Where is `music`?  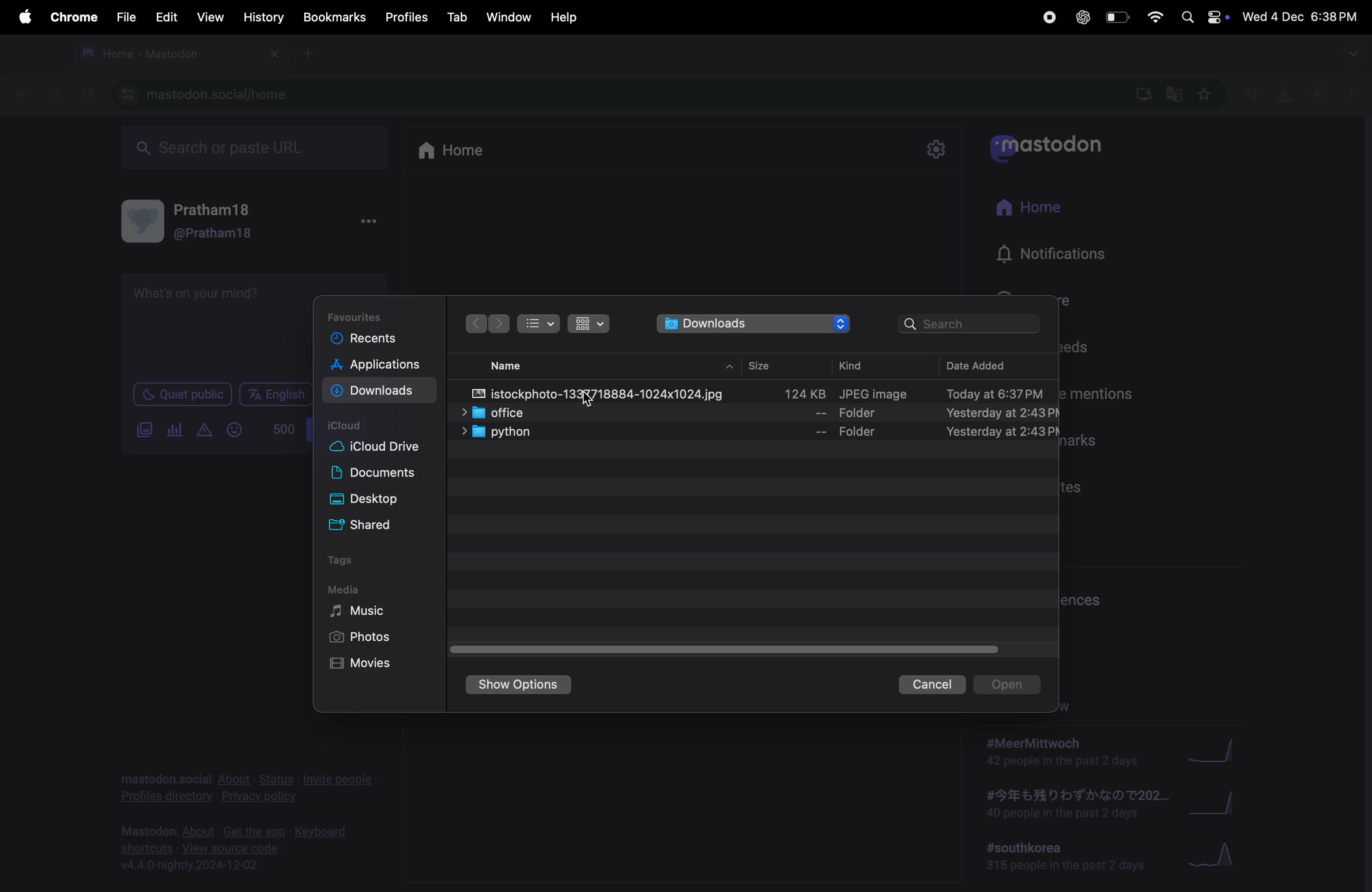 music is located at coordinates (360, 611).